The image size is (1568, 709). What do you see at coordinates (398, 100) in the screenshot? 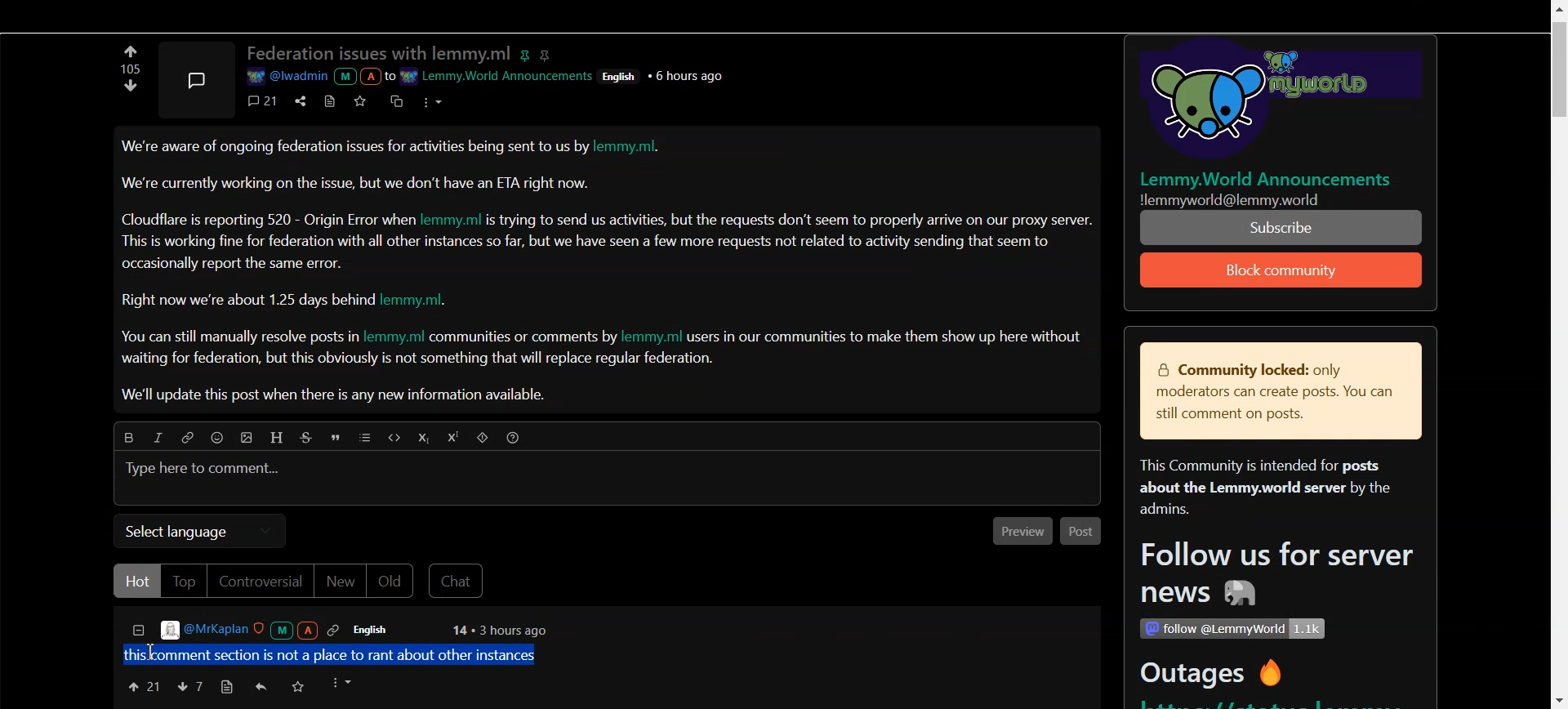
I see `cross posts` at bounding box center [398, 100].